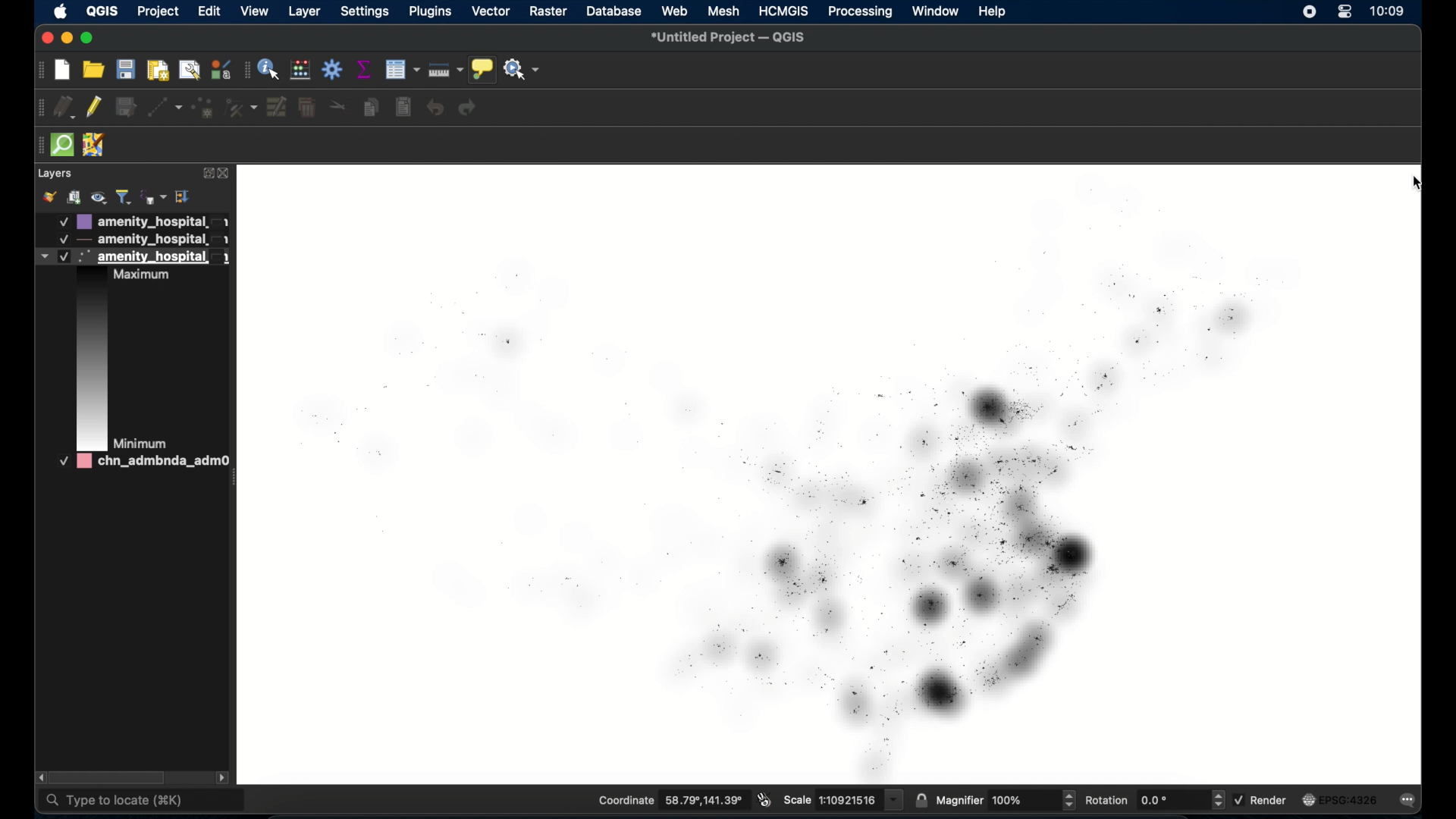 The image size is (1456, 819). Describe the element at coordinates (338, 107) in the screenshot. I see `cut features` at that location.